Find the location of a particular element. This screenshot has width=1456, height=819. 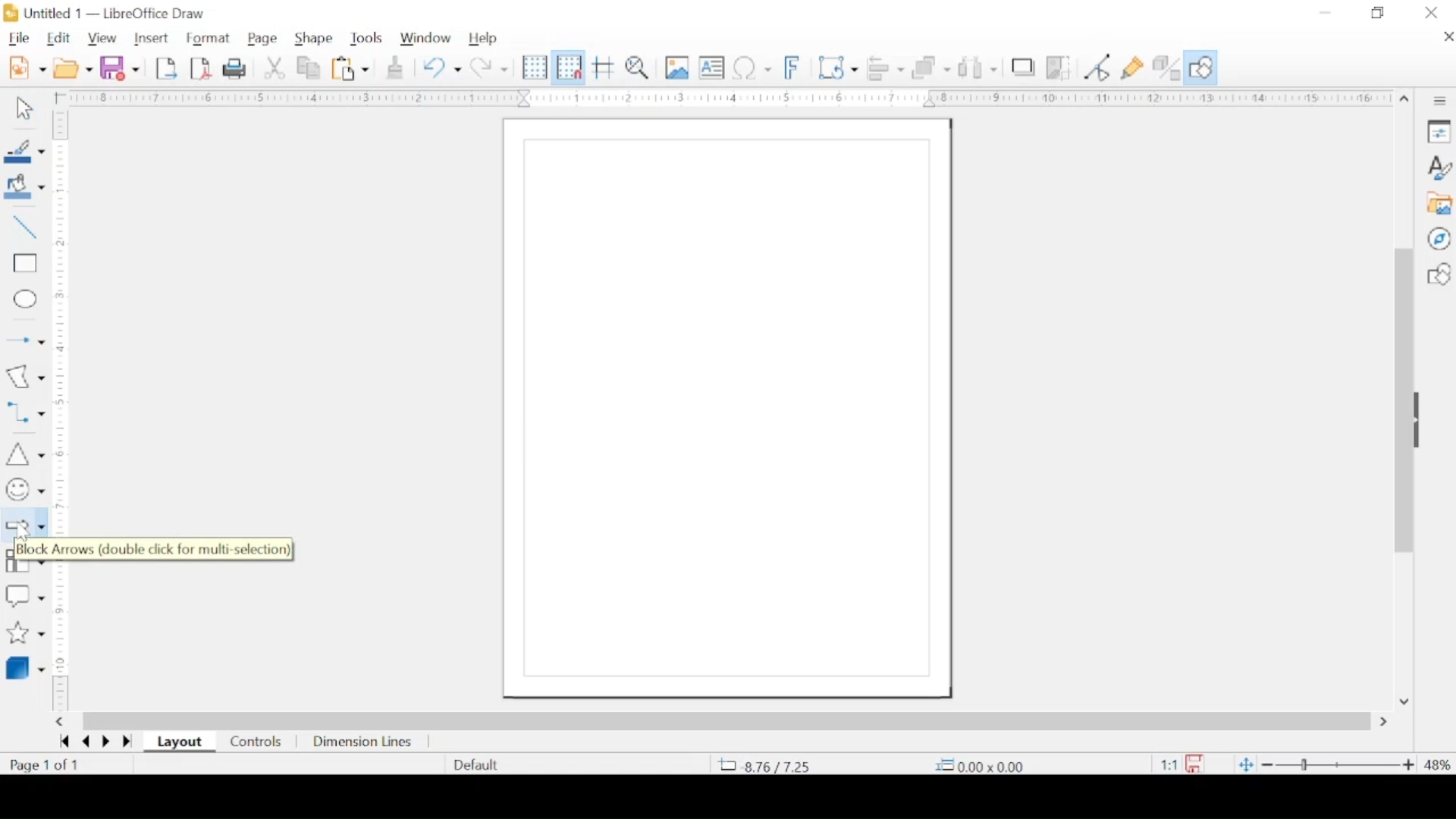

insert line is located at coordinates (25, 227).